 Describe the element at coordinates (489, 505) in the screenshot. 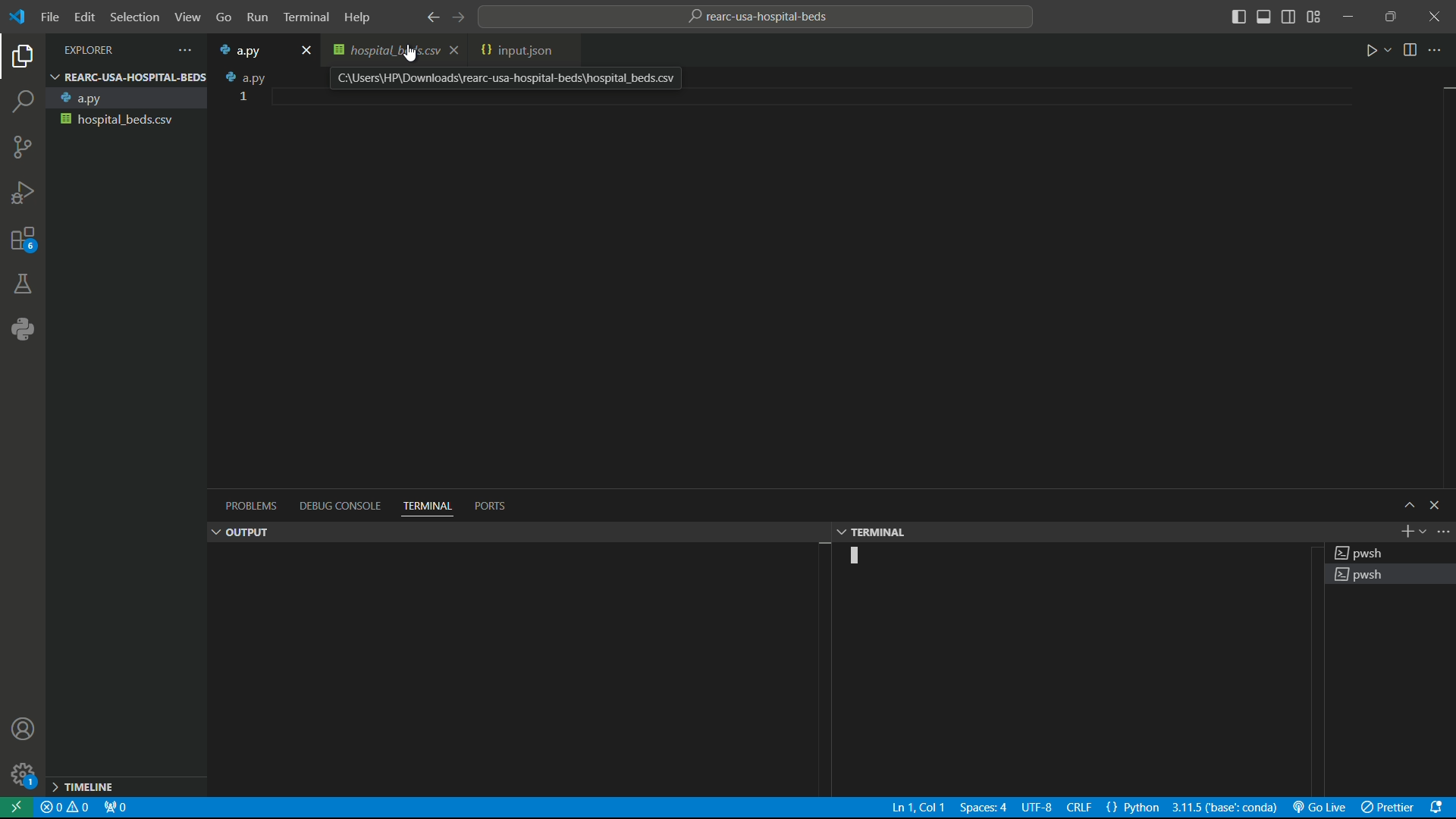

I see `ports tab` at that location.